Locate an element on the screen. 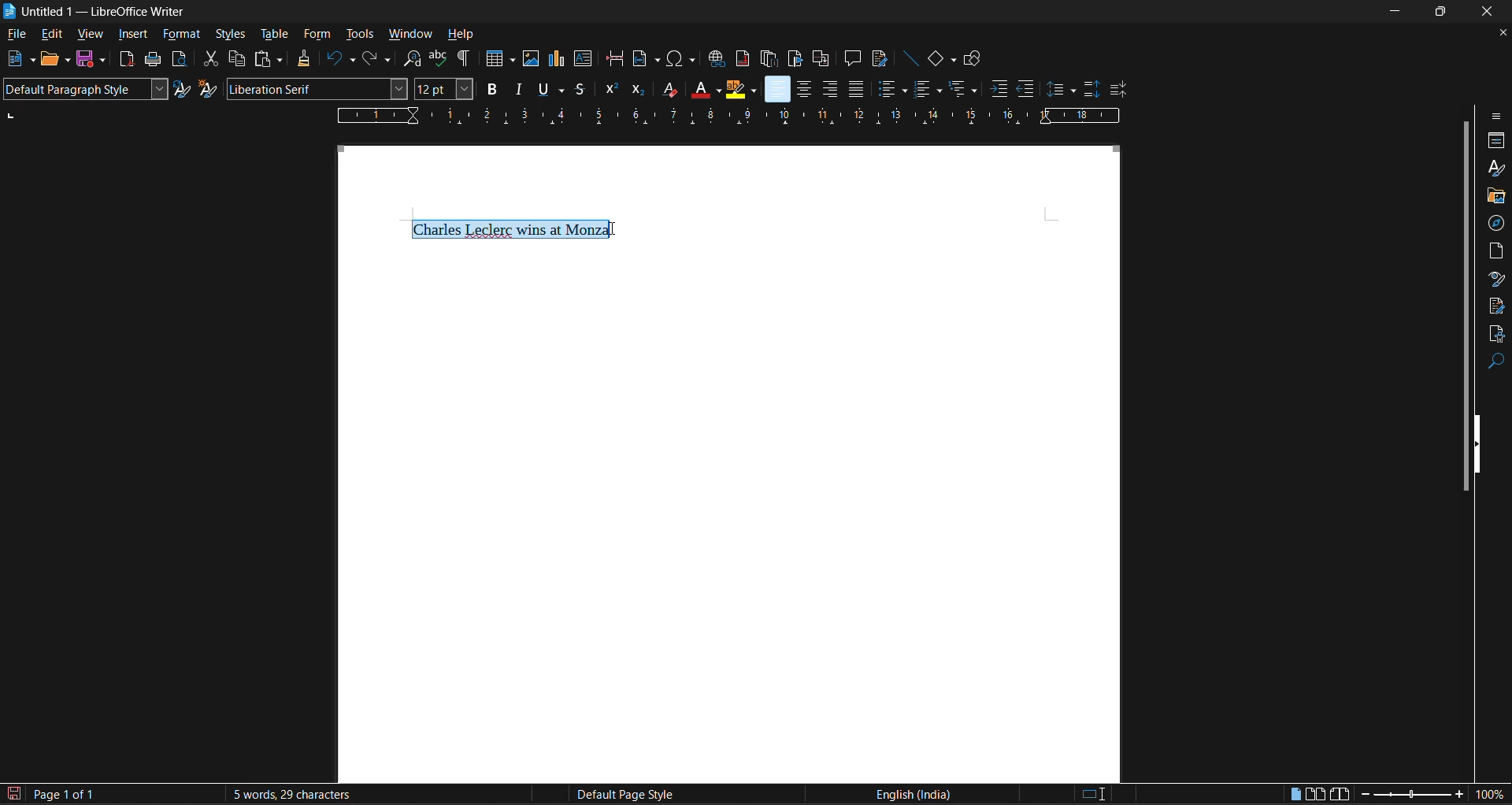 The image size is (1512, 805). maximize is located at coordinates (1443, 10).